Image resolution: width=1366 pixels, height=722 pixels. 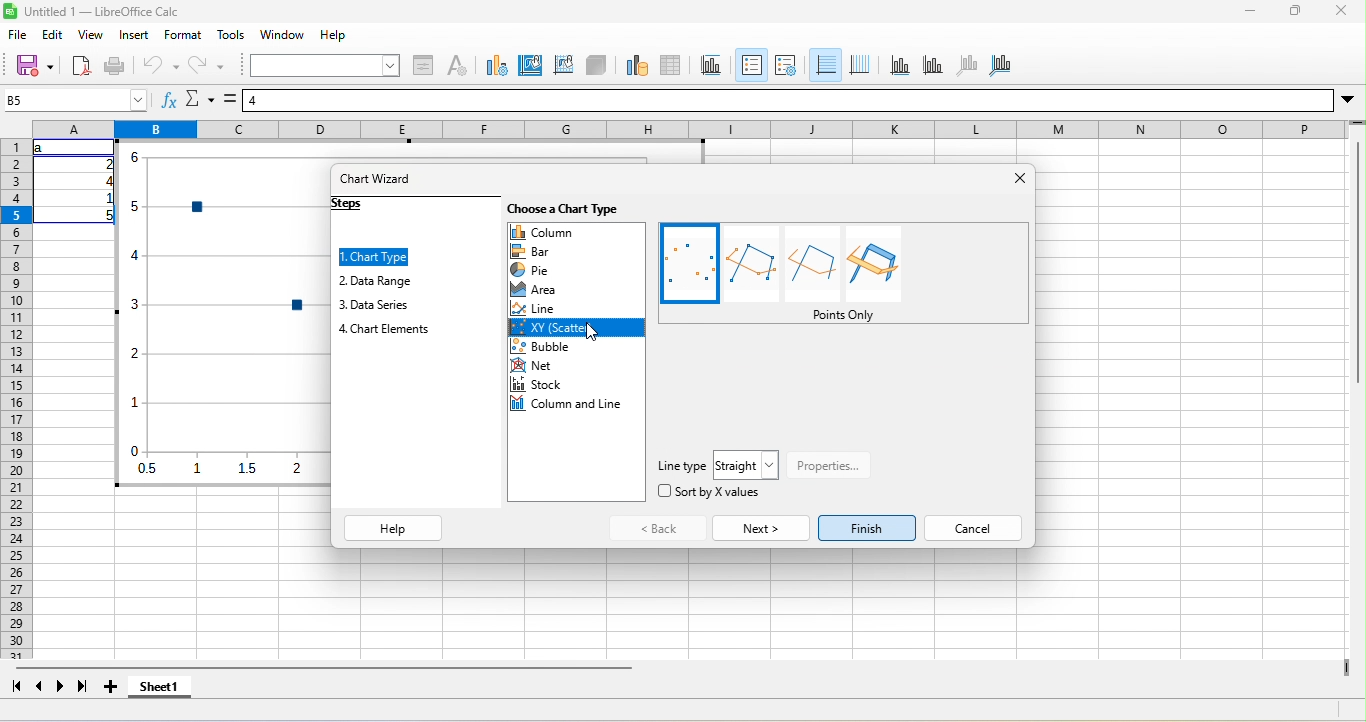 What do you see at coordinates (333, 35) in the screenshot?
I see `help` at bounding box center [333, 35].